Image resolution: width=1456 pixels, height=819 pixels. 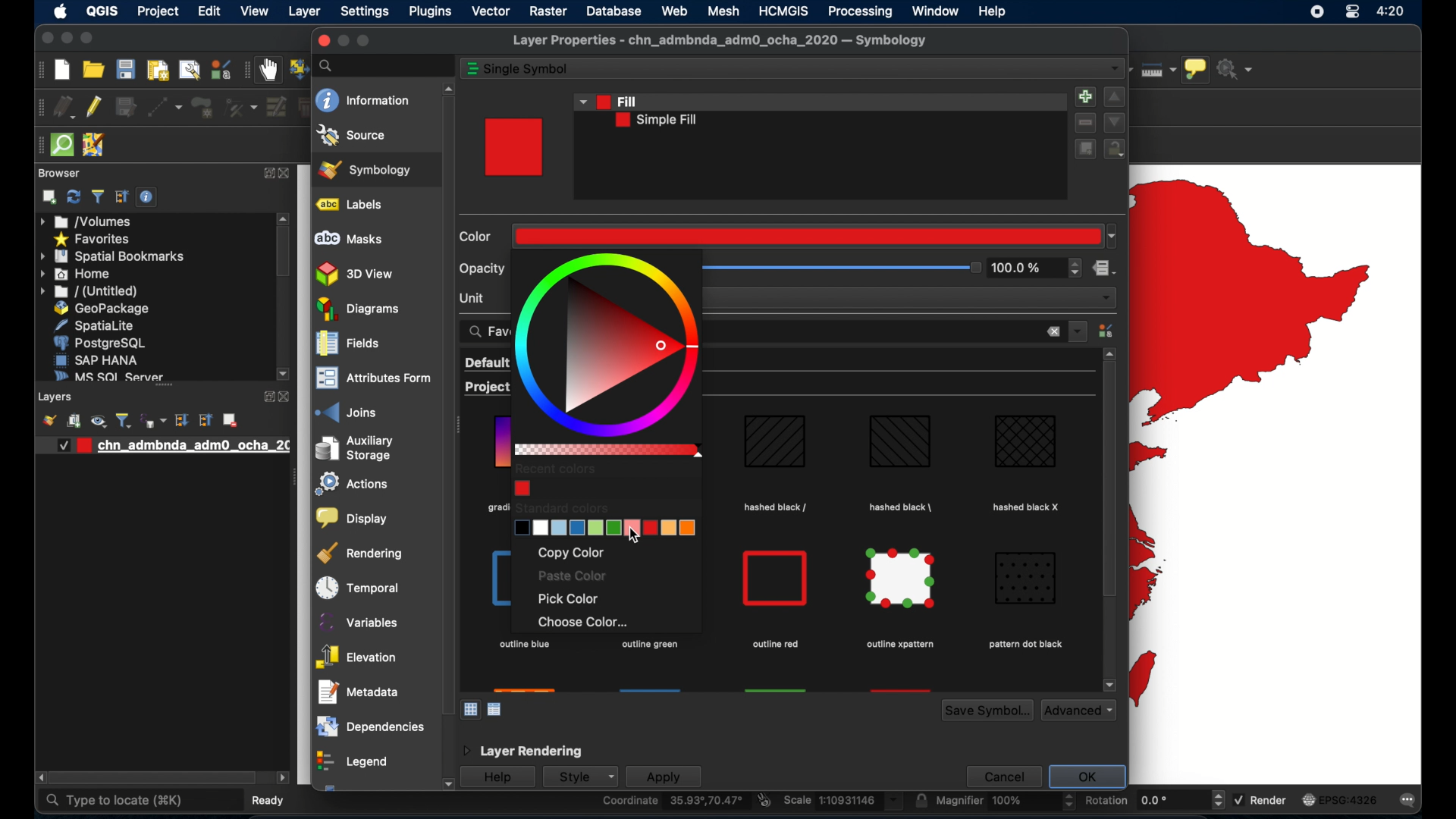 I want to click on opacity, so click(x=482, y=268).